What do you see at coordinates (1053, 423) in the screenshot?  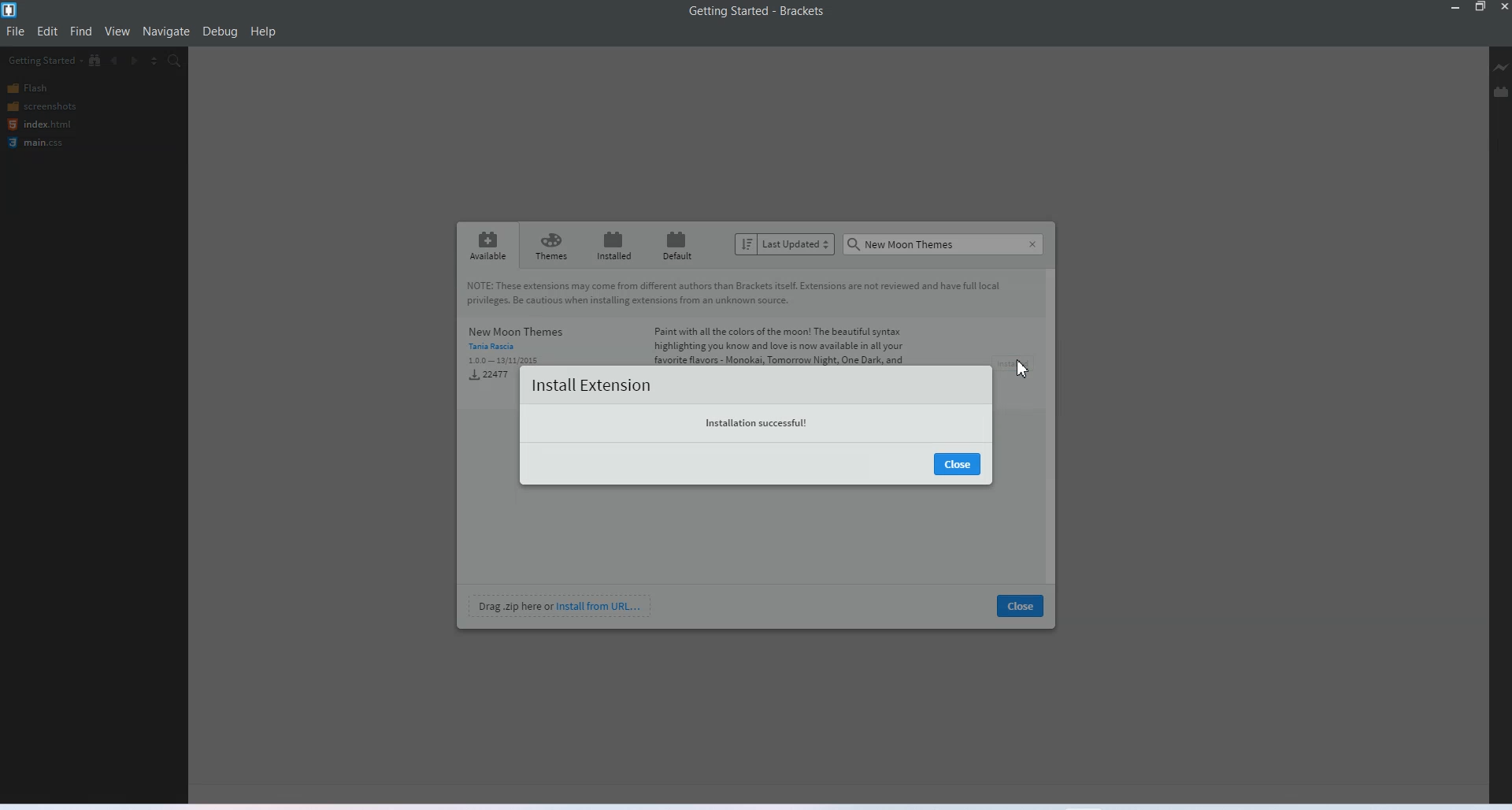 I see `Vertical scroll bar` at bounding box center [1053, 423].